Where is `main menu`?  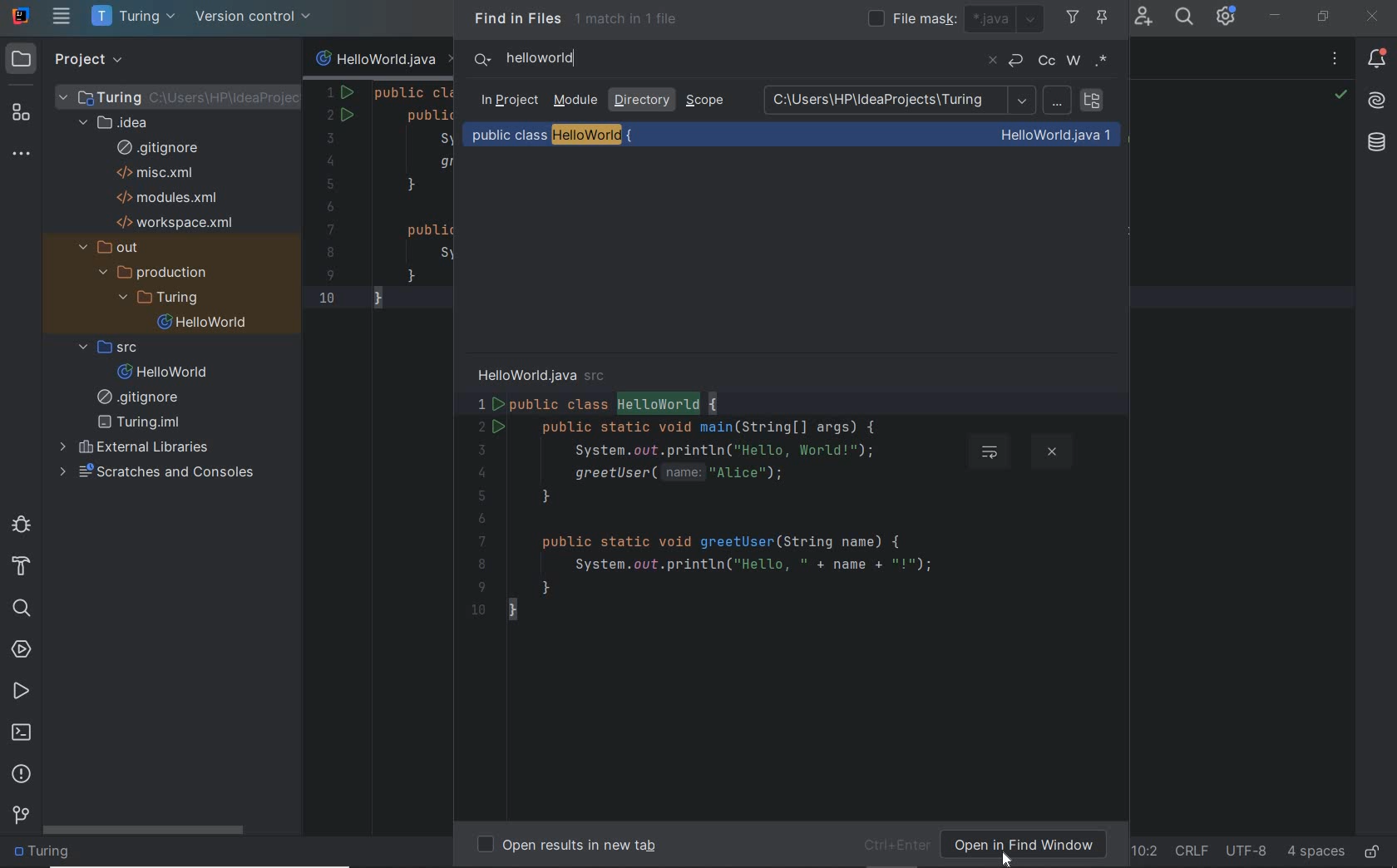
main menu is located at coordinates (62, 16).